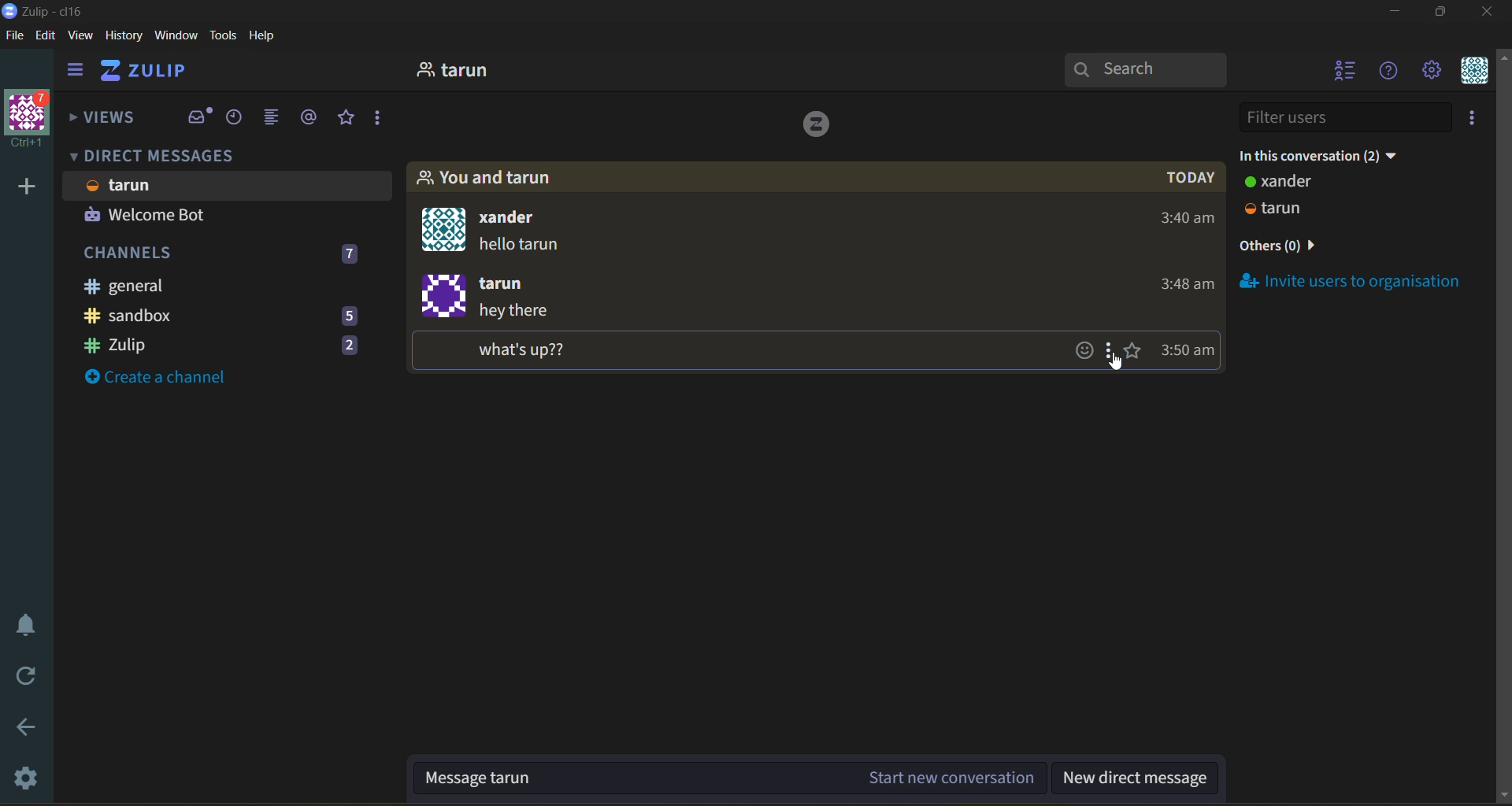 This screenshot has height=806, width=1512. I want to click on go back, so click(20, 729).